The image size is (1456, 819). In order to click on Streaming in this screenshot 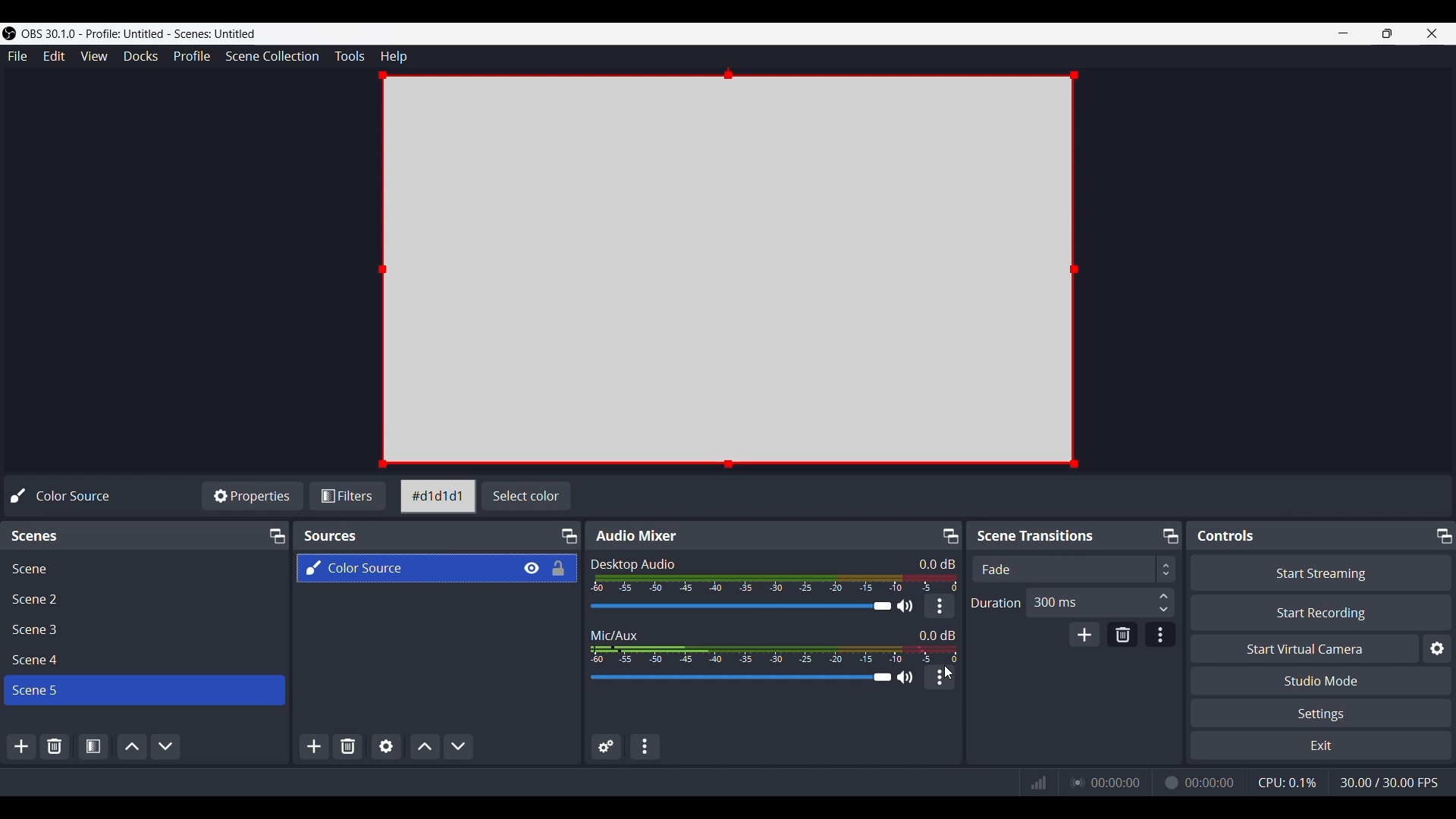, I will do `click(1075, 783)`.